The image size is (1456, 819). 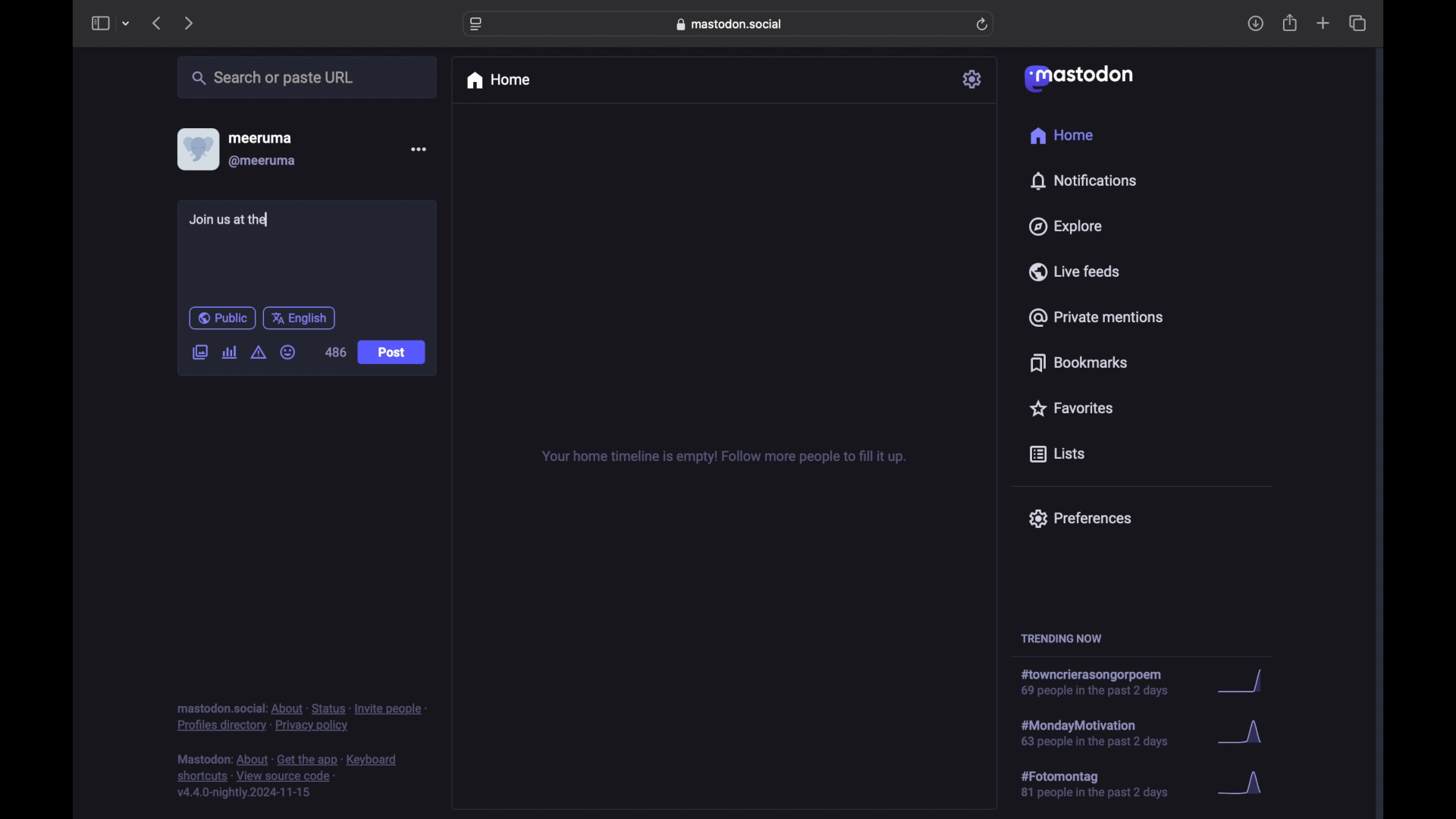 I want to click on favorites, so click(x=1070, y=408).